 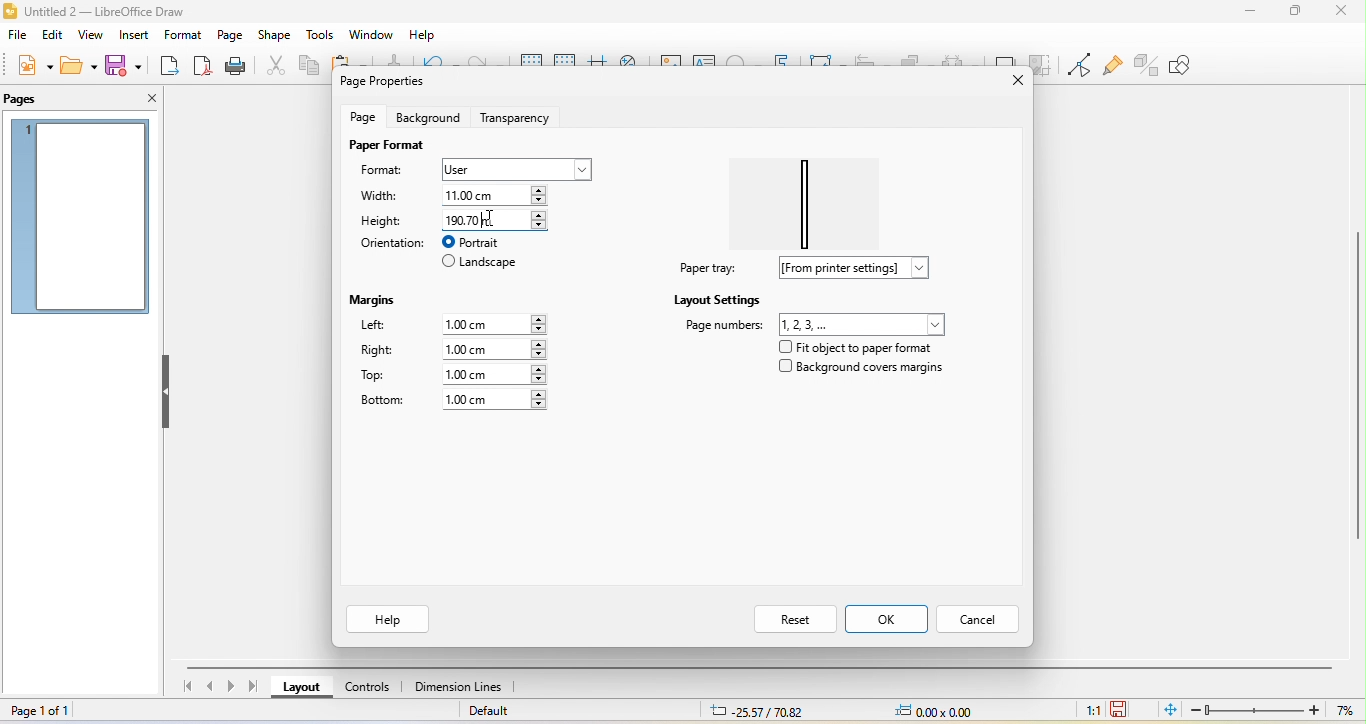 What do you see at coordinates (386, 327) in the screenshot?
I see `lefr` at bounding box center [386, 327].